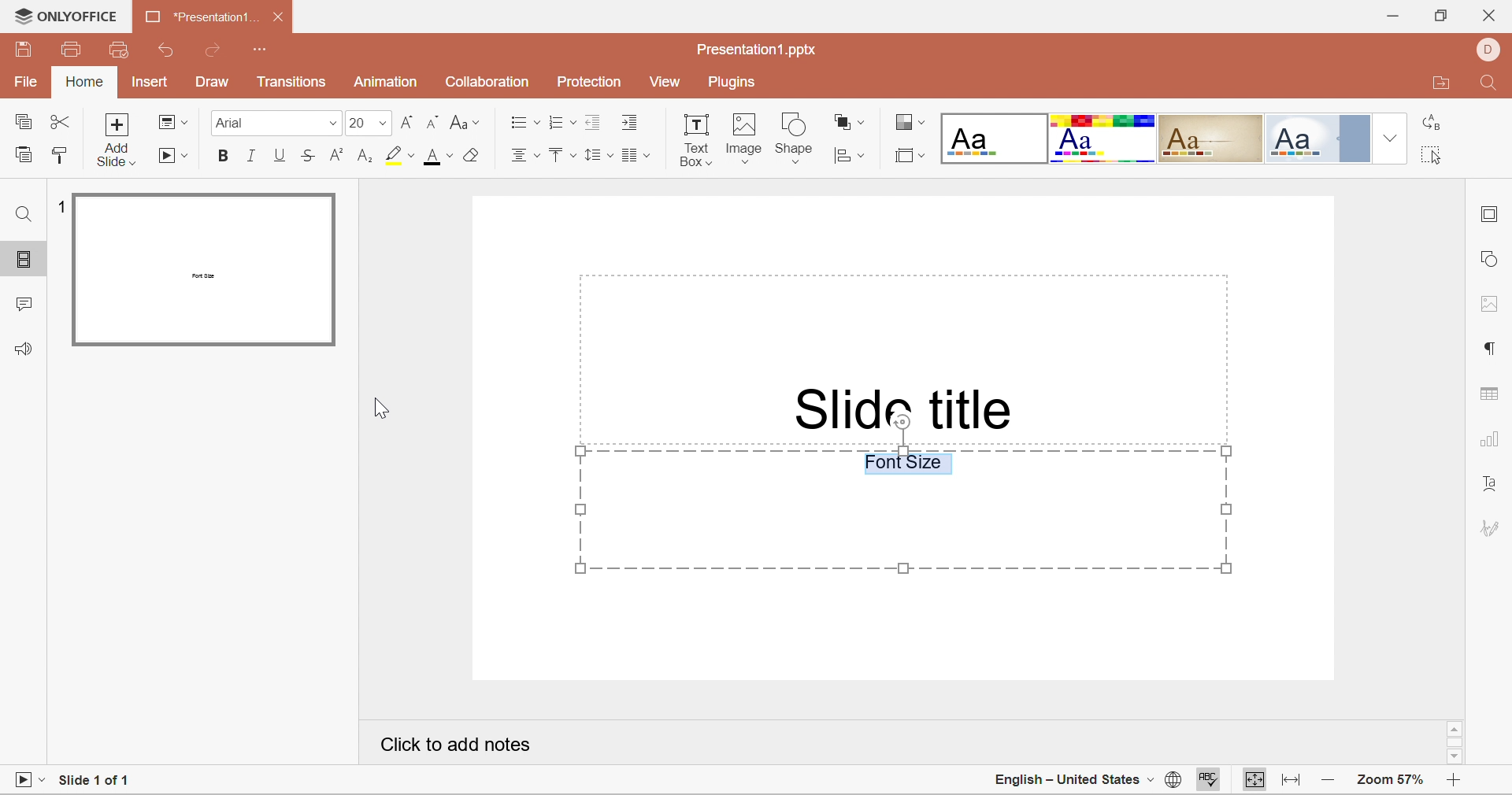 This screenshot has width=1512, height=795. Describe the element at coordinates (261, 50) in the screenshot. I see `Customize quick access toolbar` at that location.